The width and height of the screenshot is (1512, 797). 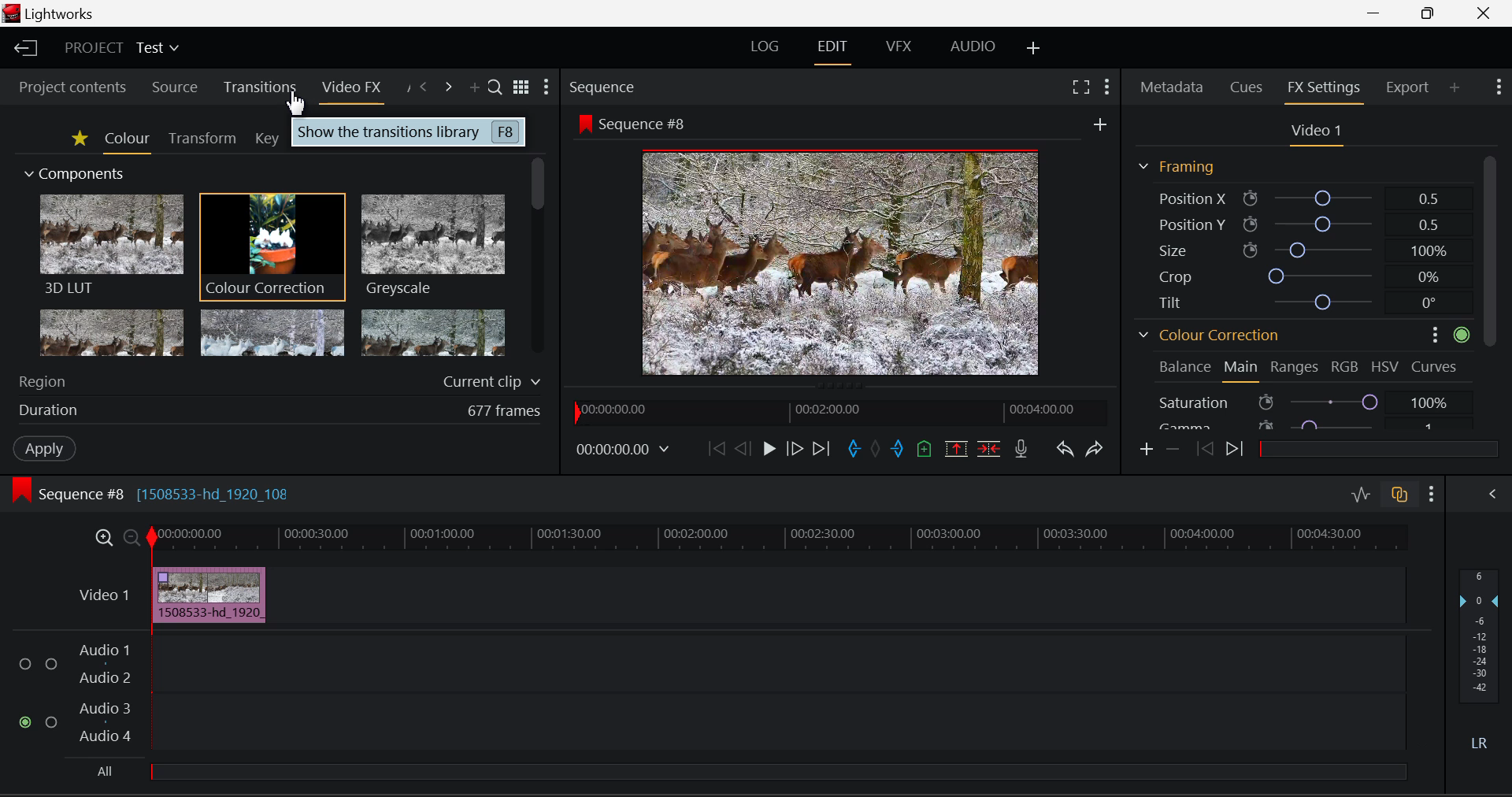 What do you see at coordinates (742, 449) in the screenshot?
I see `Go Back` at bounding box center [742, 449].